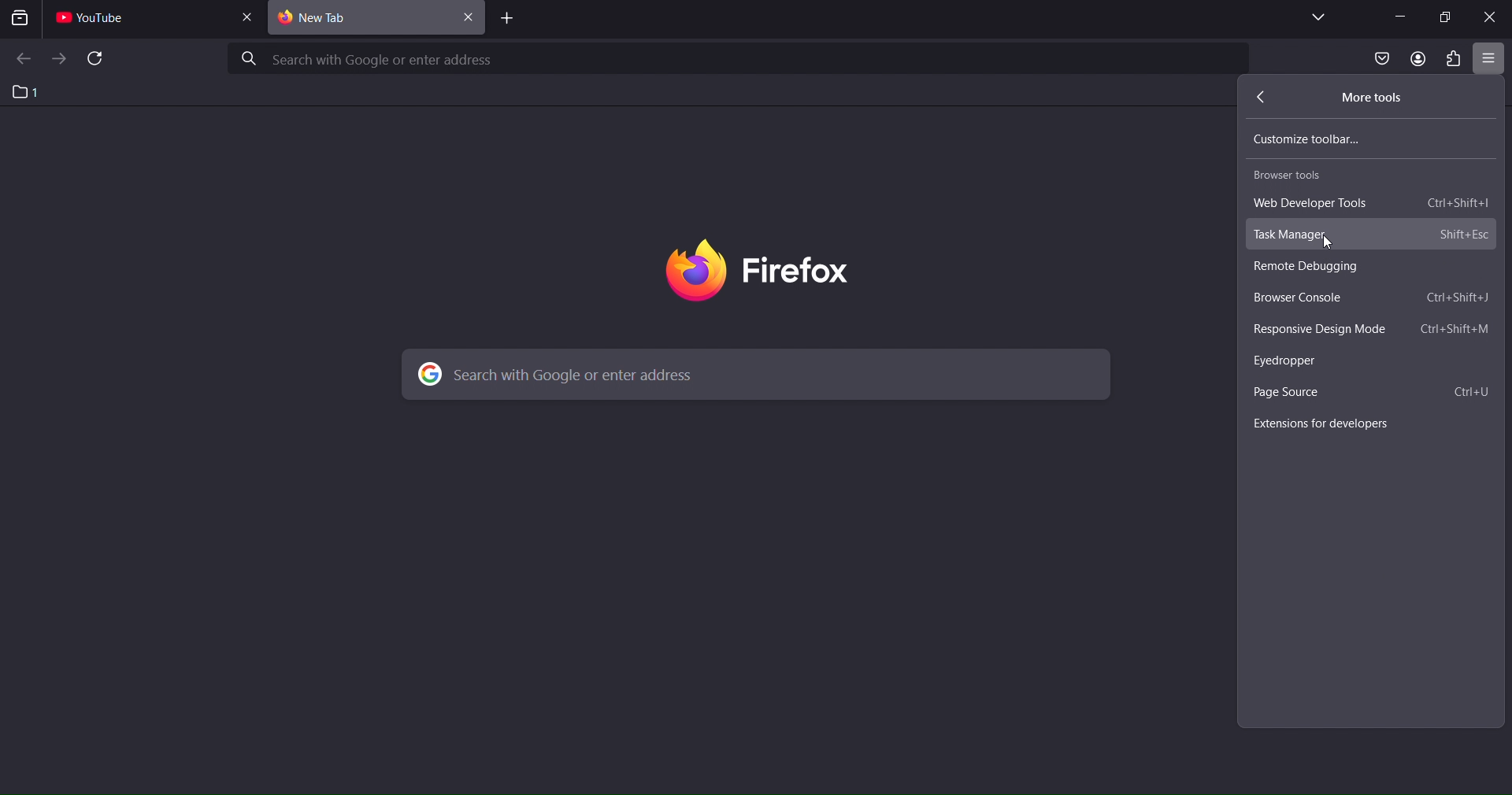 The image size is (1512, 795). I want to click on open application menu, so click(1488, 60).